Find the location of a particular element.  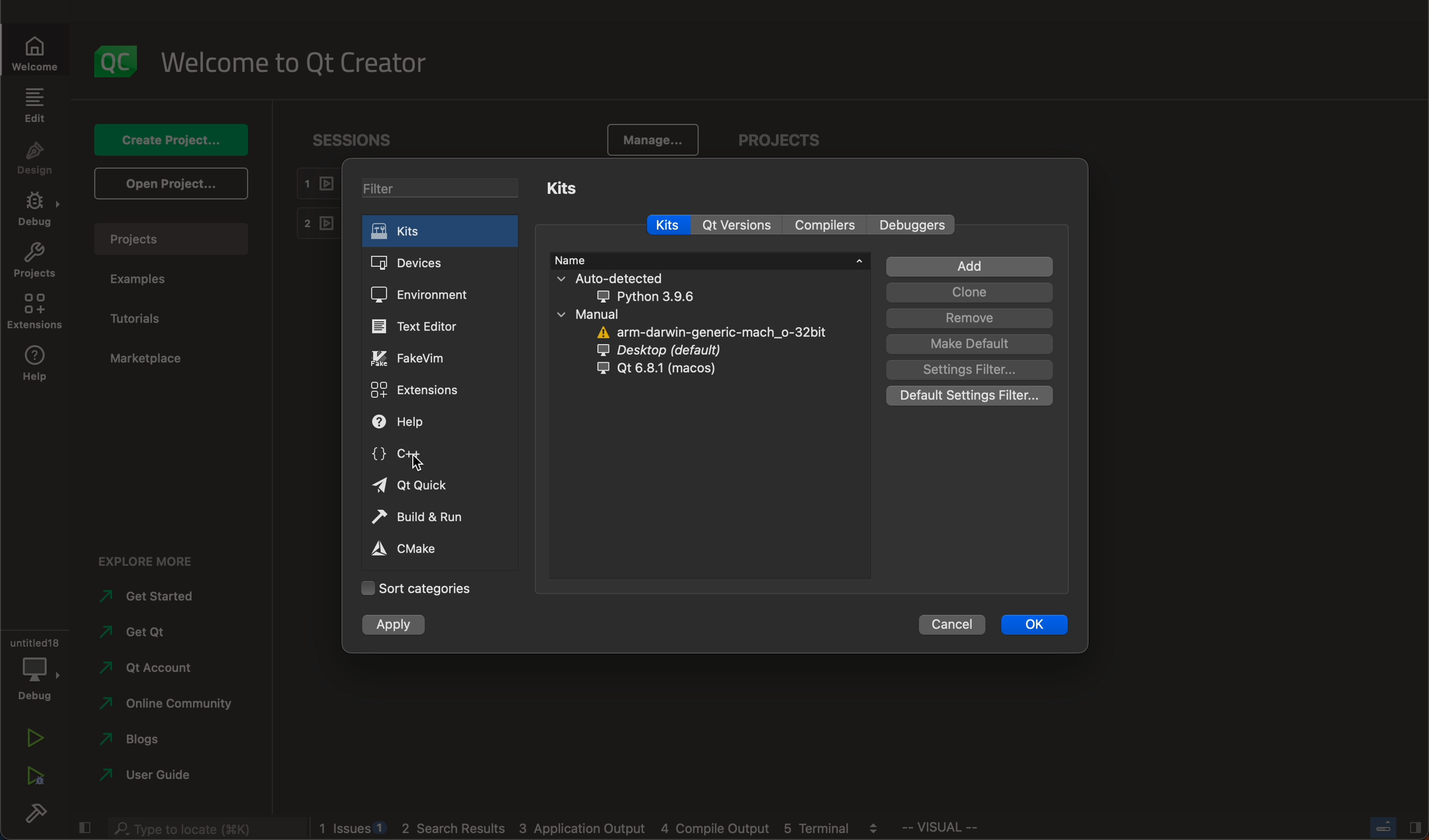

kits is located at coordinates (569, 186).